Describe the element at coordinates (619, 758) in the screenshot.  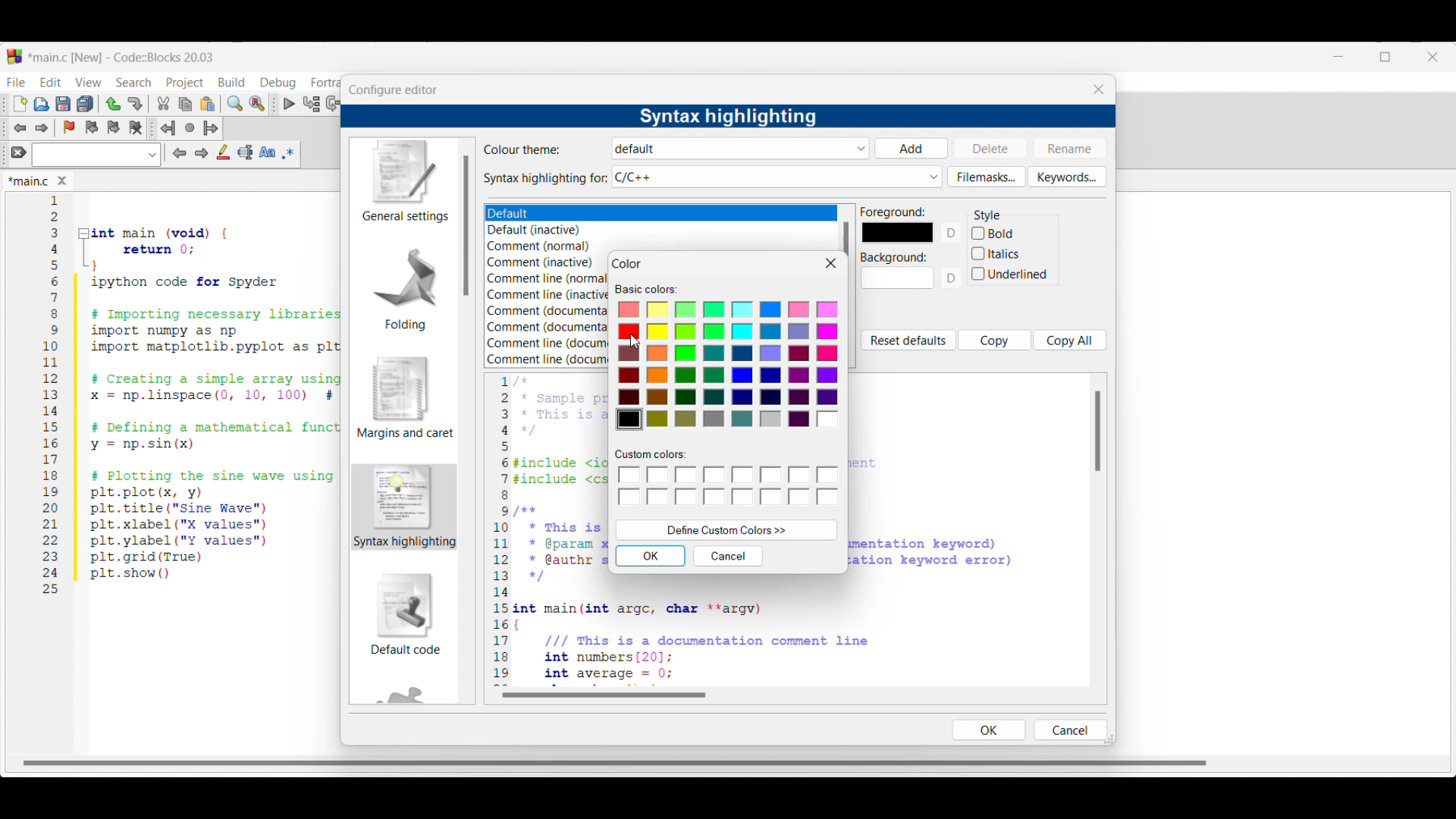
I see `Horizontal scroll bar` at that location.